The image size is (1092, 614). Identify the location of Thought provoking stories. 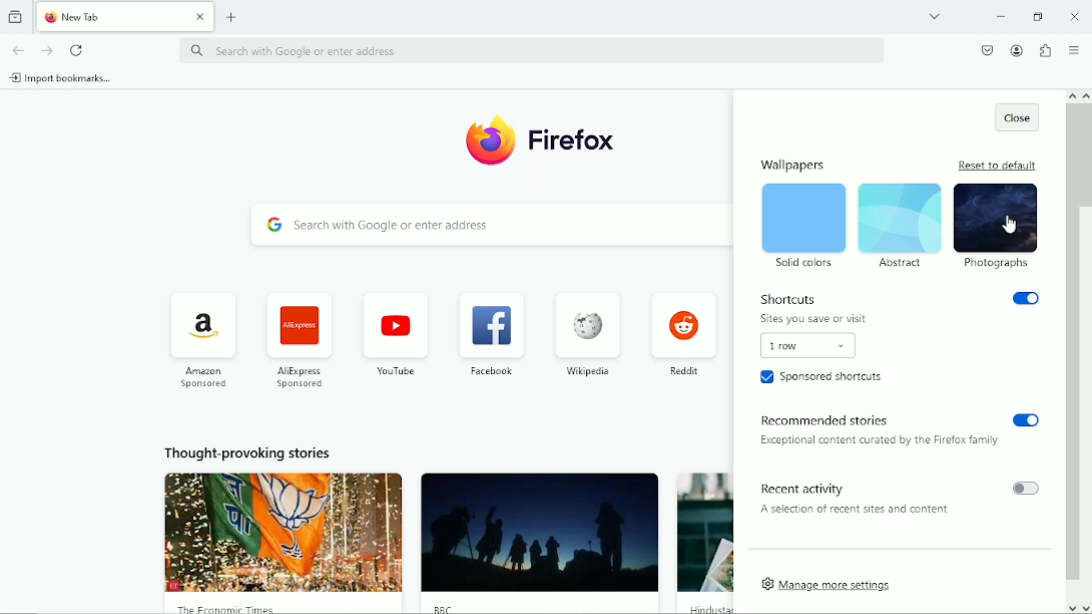
(250, 454).